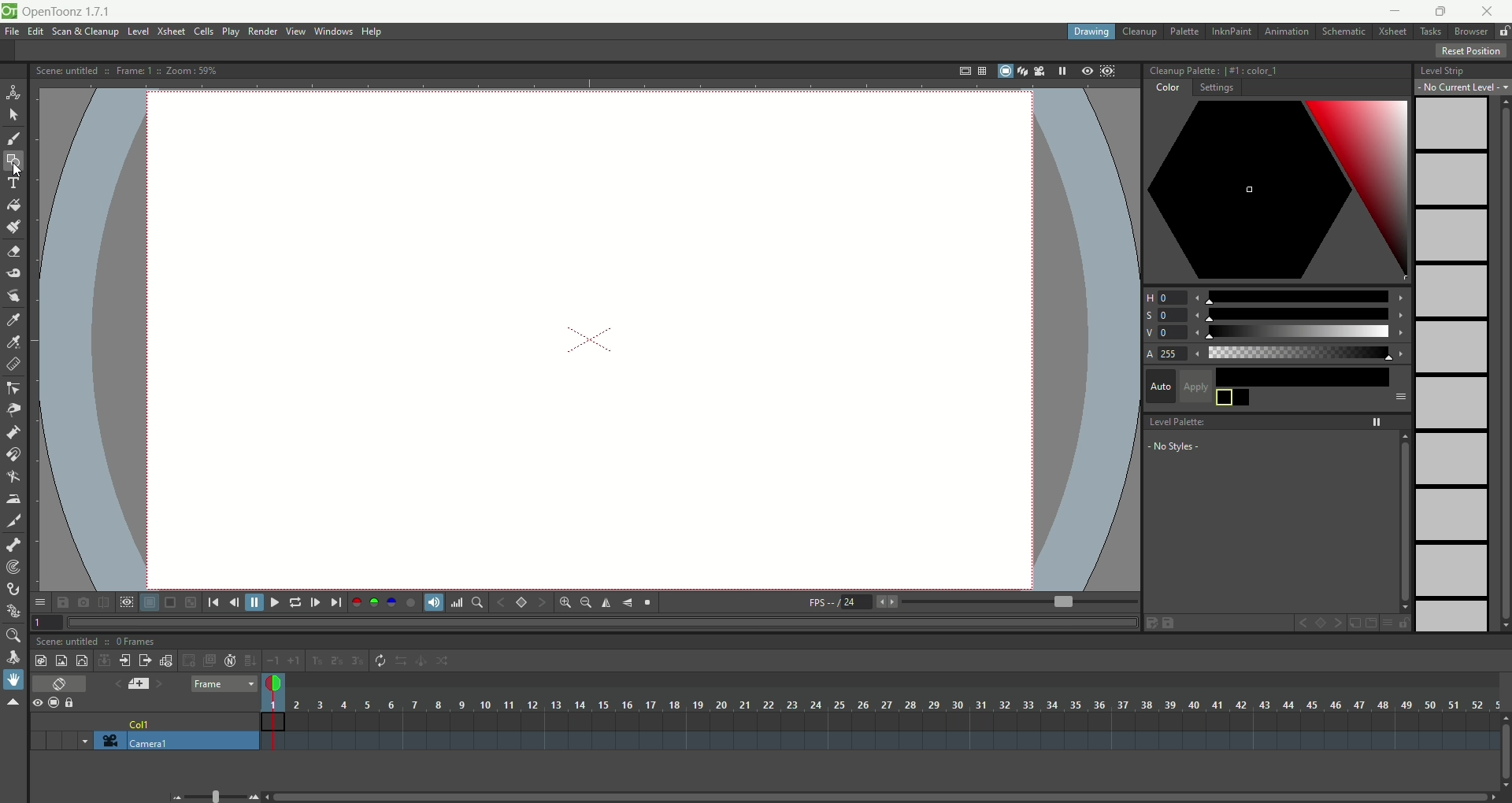 The image size is (1512, 803). Describe the element at coordinates (1277, 192) in the screenshot. I see `color picker` at that location.